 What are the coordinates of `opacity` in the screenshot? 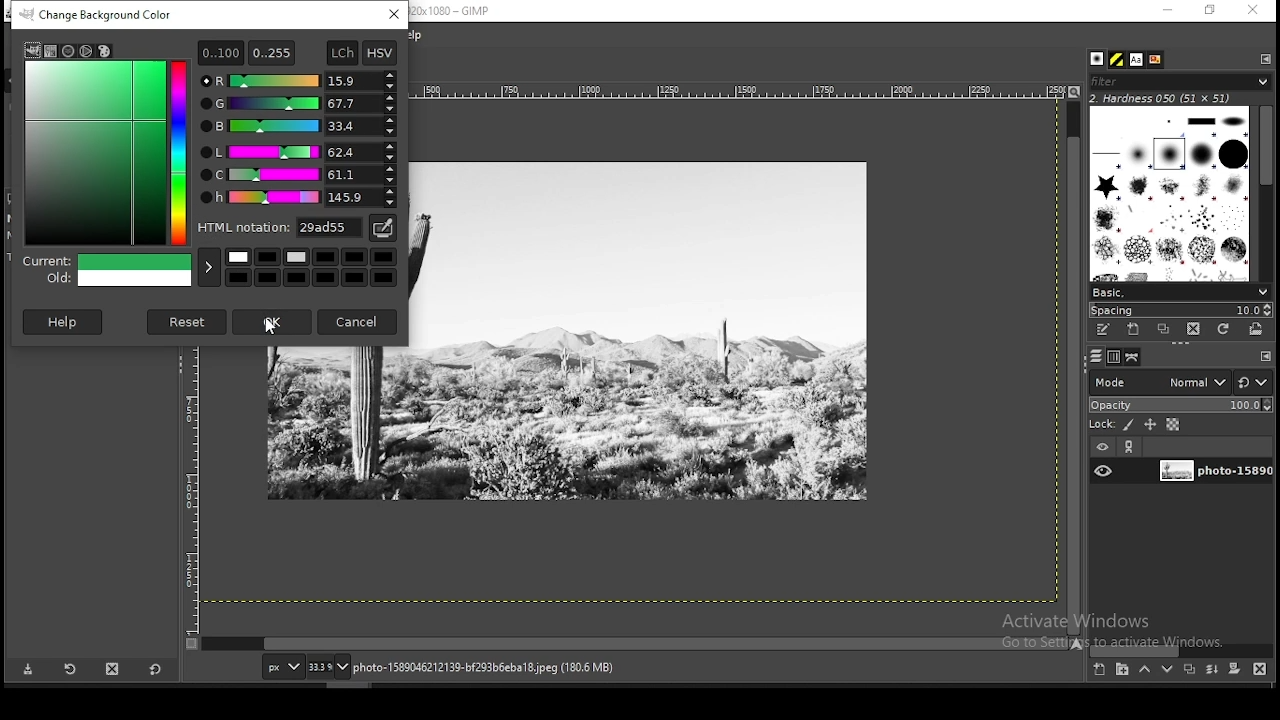 It's located at (1179, 403).